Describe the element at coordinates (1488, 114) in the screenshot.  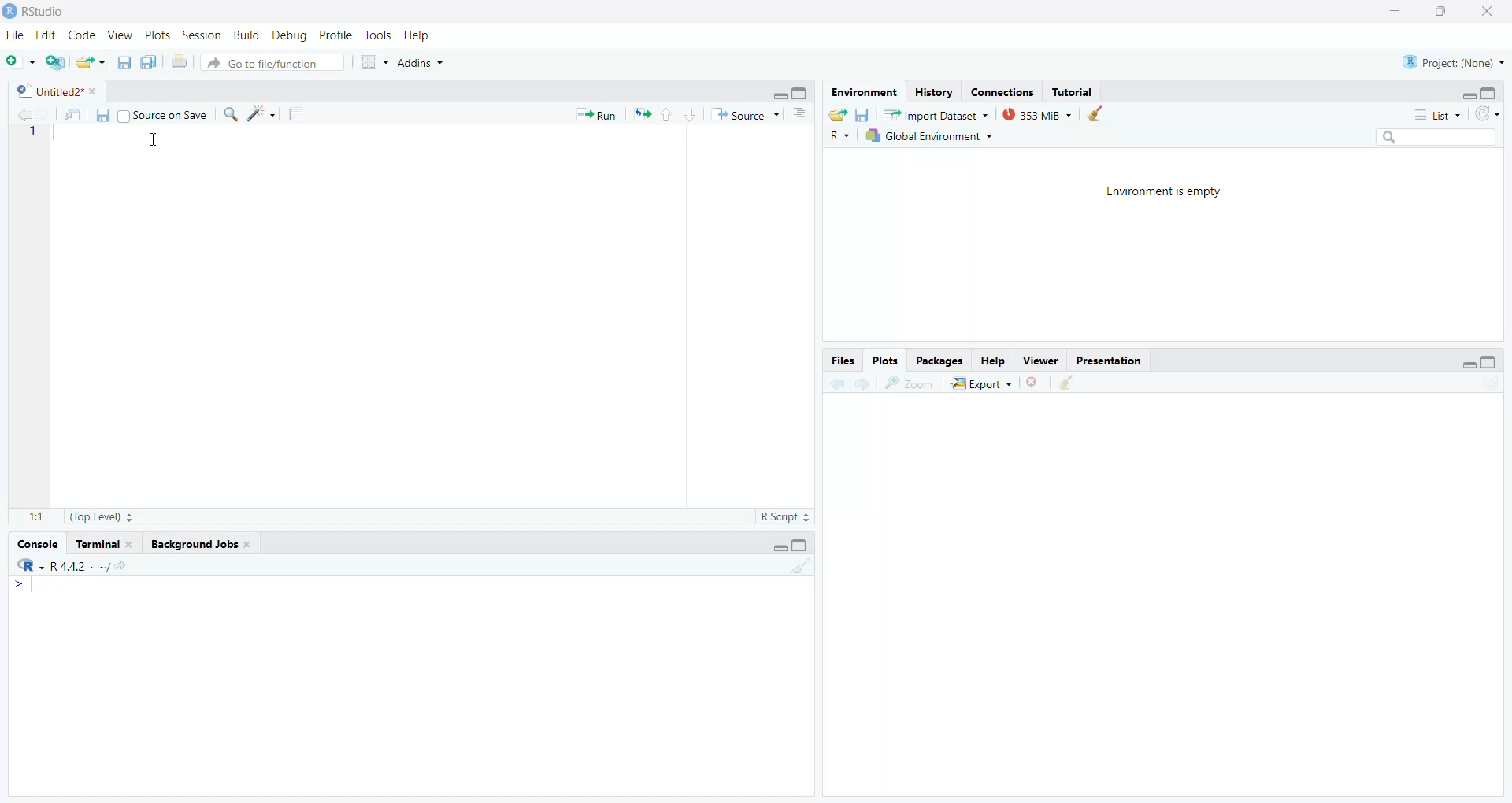
I see `refresh` at that location.